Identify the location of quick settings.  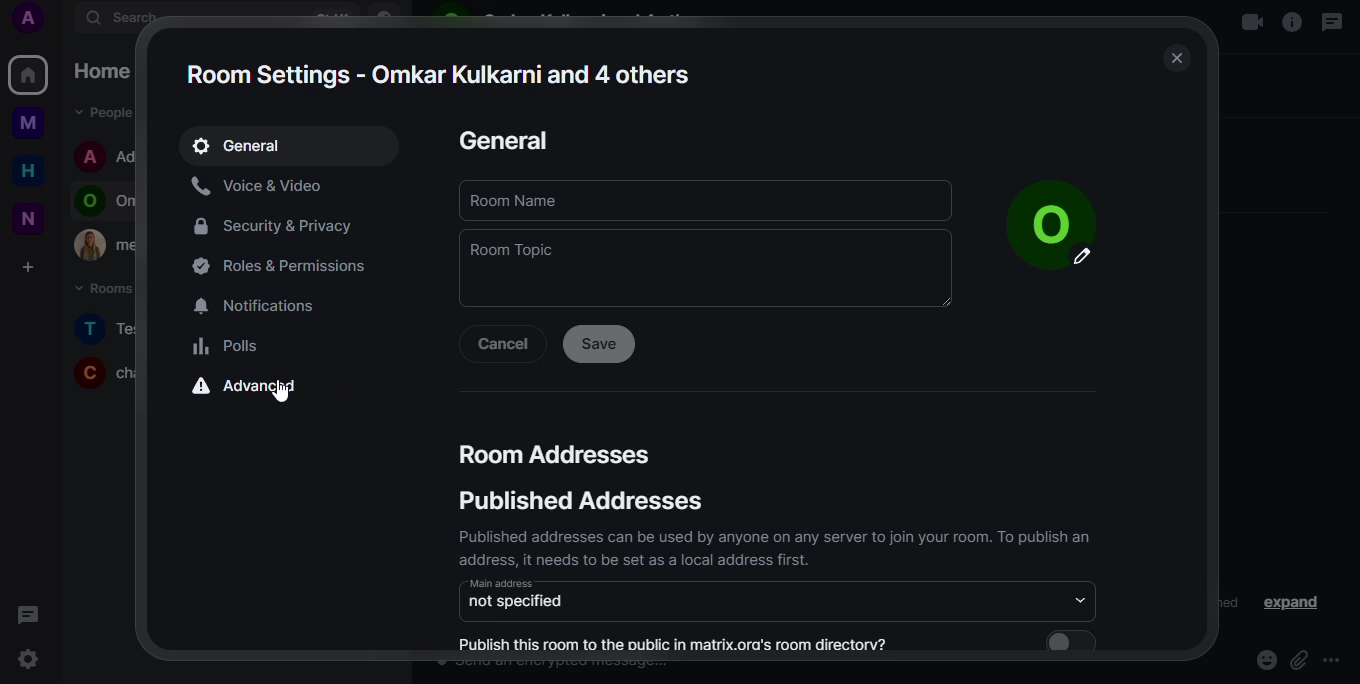
(30, 660).